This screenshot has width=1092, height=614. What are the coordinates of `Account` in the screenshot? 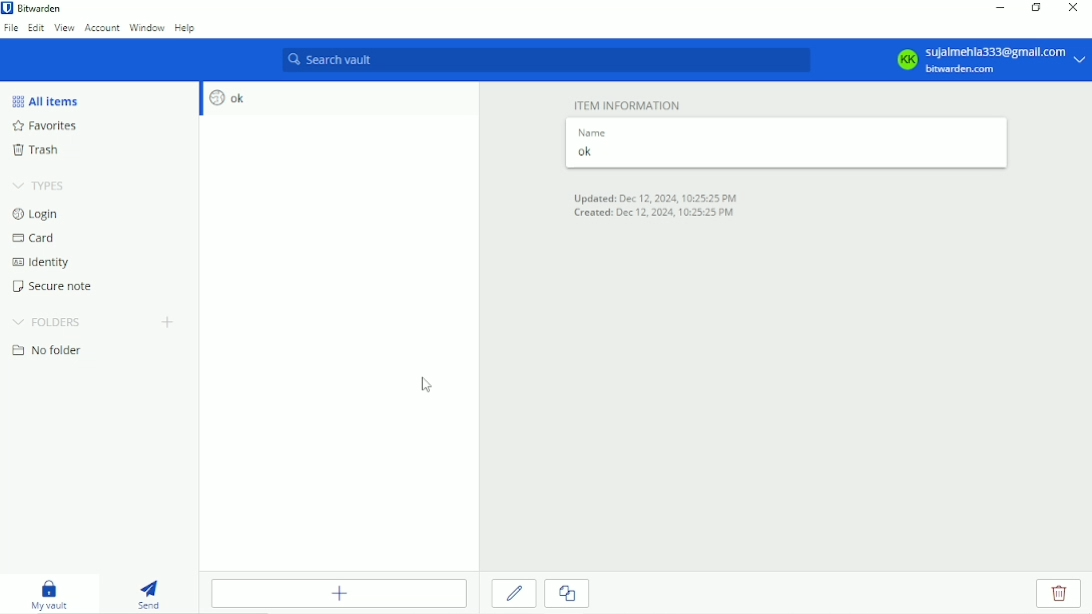 It's located at (102, 27).